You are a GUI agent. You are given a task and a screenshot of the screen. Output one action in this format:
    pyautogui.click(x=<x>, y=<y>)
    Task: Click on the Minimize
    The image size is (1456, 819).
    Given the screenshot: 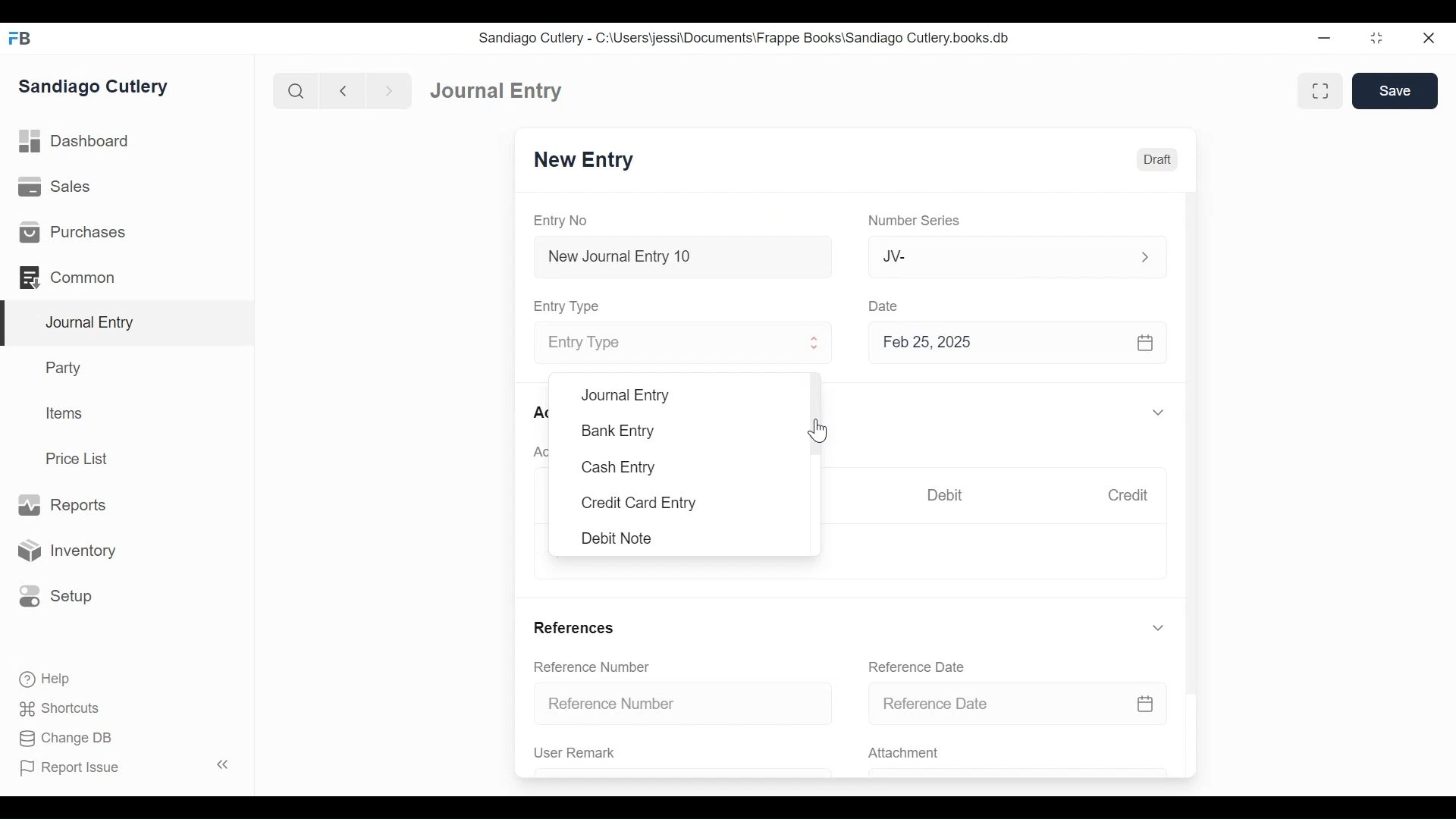 What is the action you would take?
    pyautogui.click(x=1326, y=39)
    